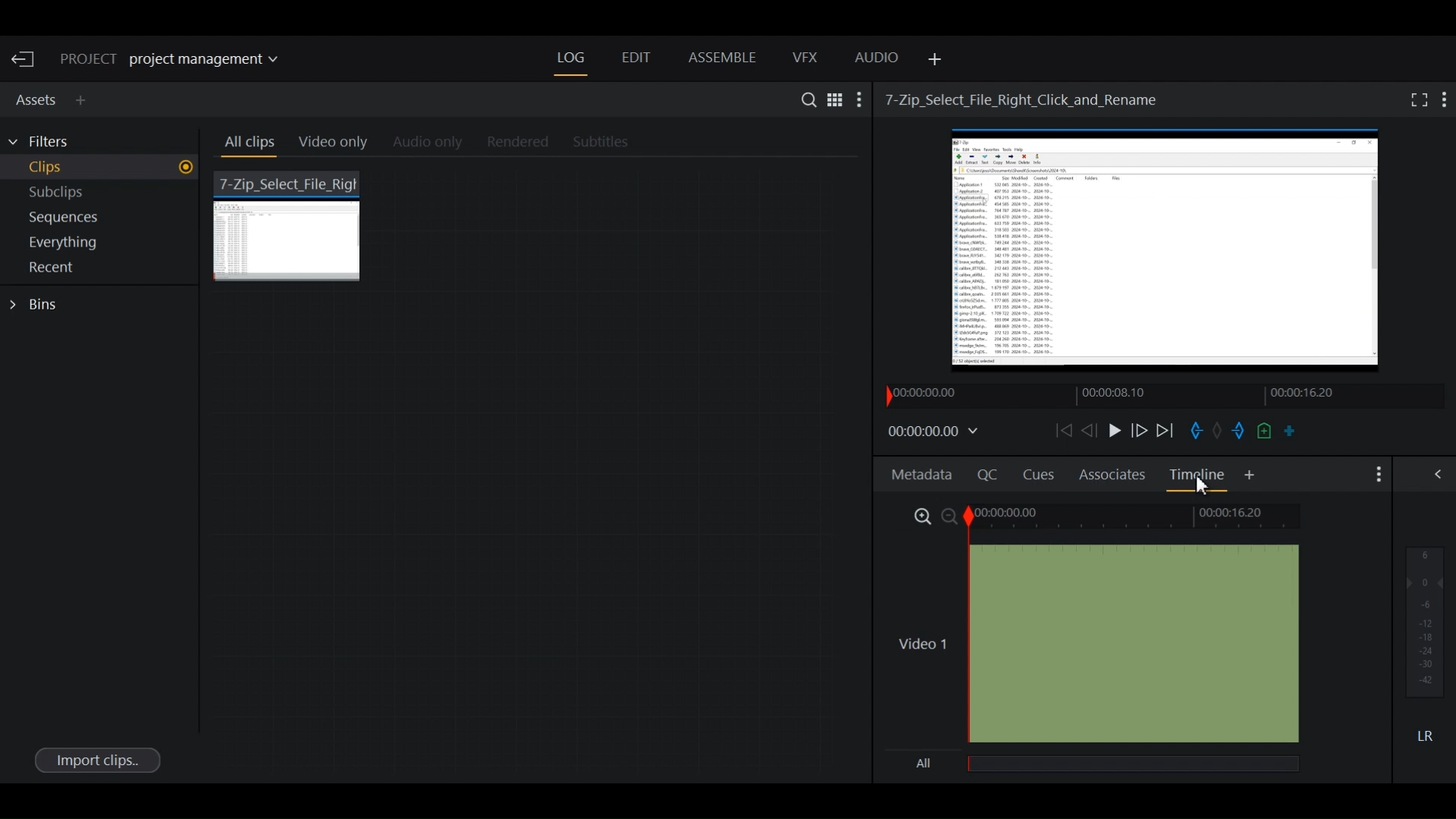  I want to click on Associates, so click(1112, 475).